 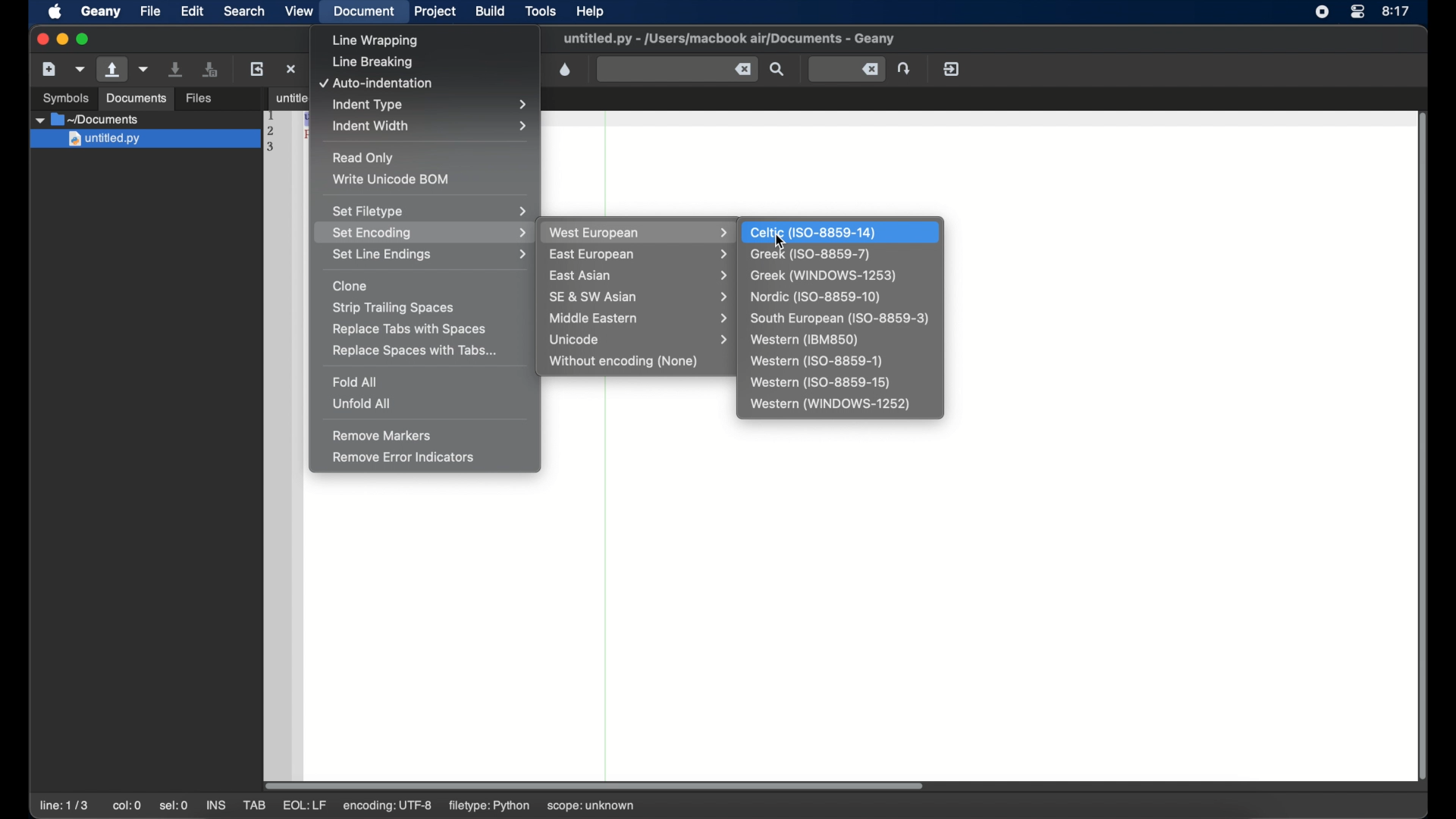 What do you see at coordinates (215, 805) in the screenshot?
I see `ins` at bounding box center [215, 805].